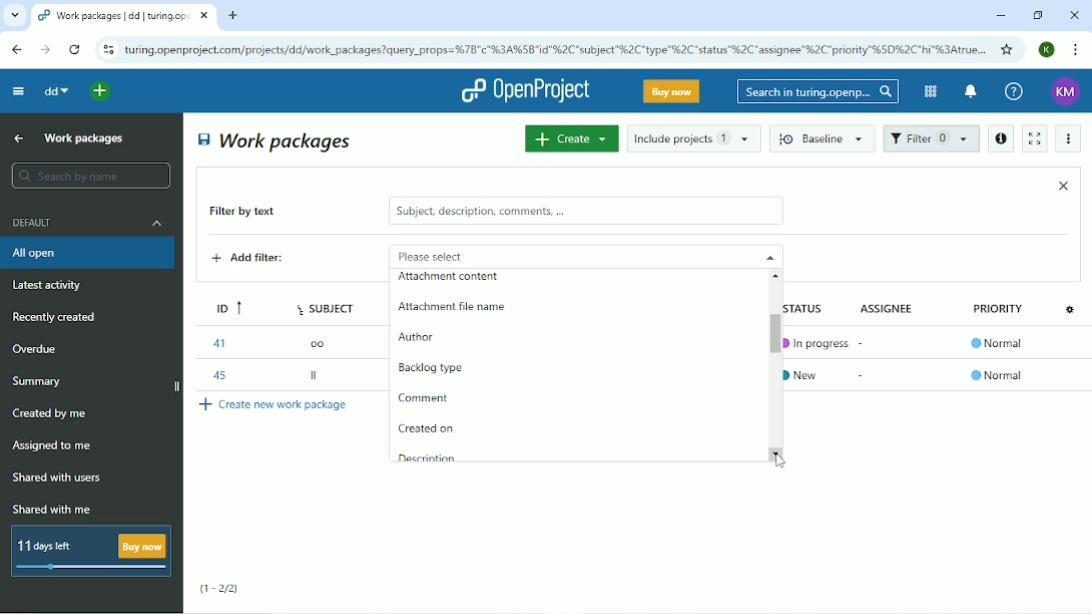 The height and width of the screenshot is (614, 1092). I want to click on Author, so click(415, 339).